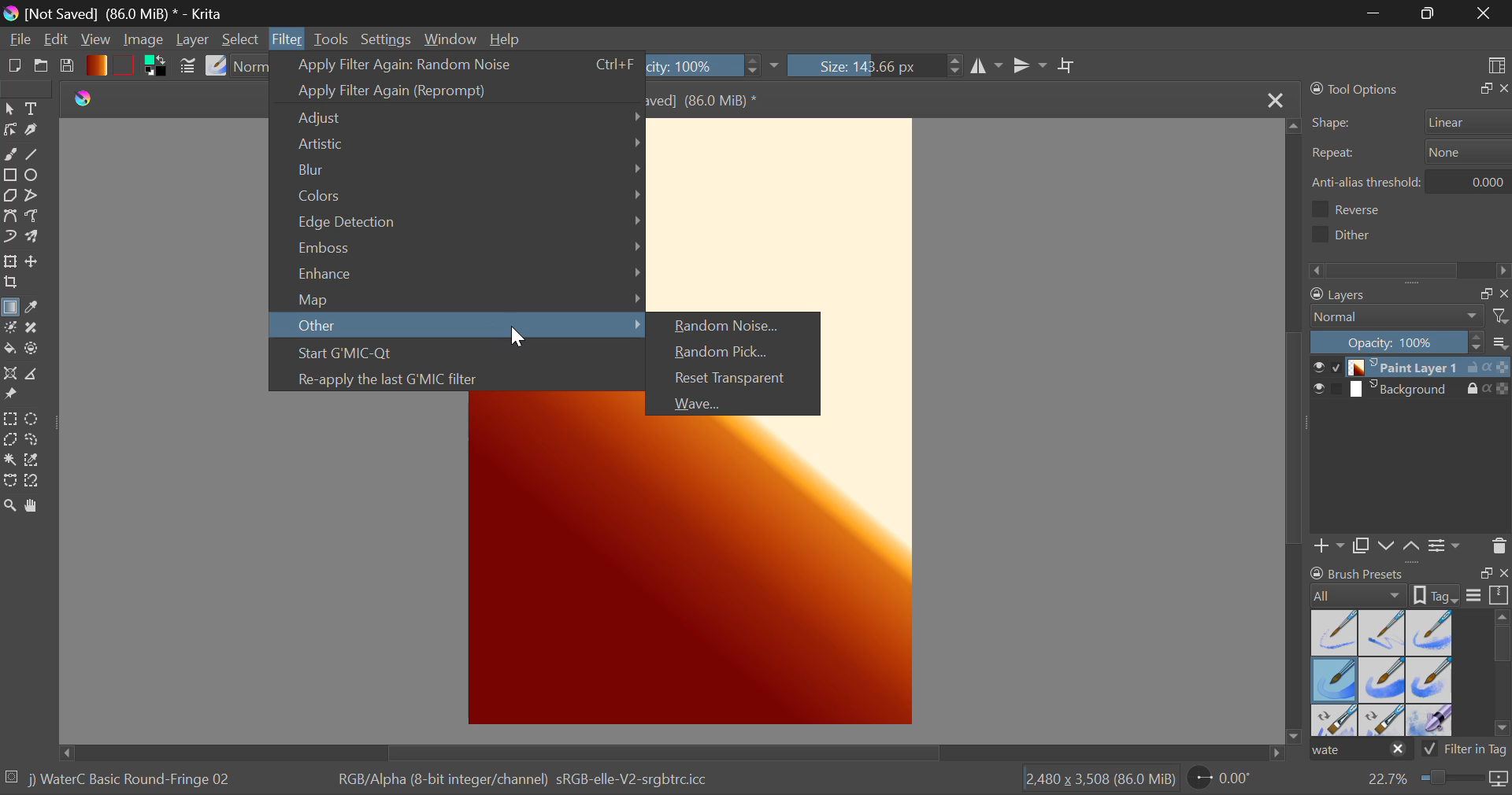 This screenshot has width=1512, height=795. What do you see at coordinates (1228, 782) in the screenshot?
I see `Page Rotation` at bounding box center [1228, 782].